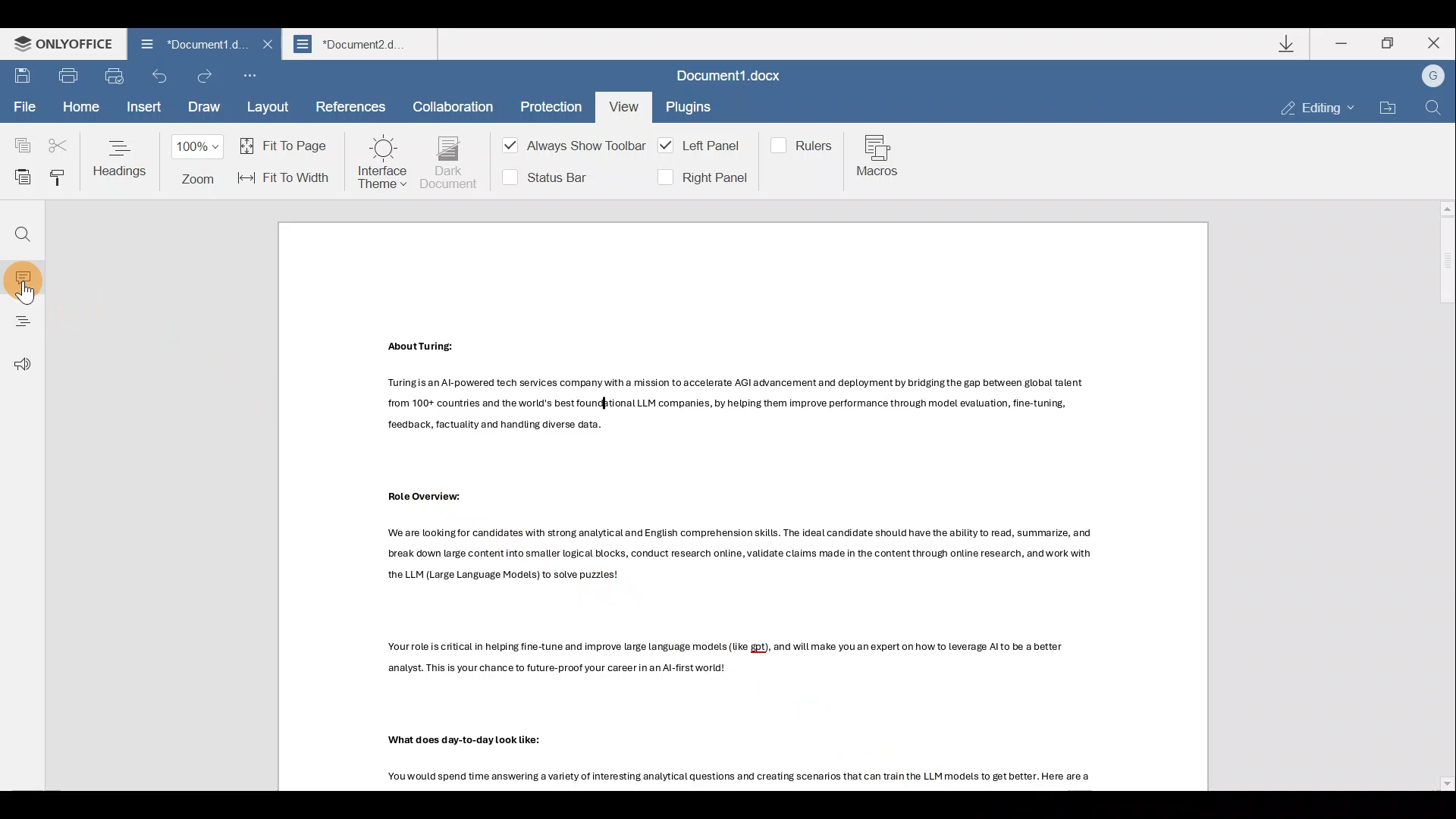 This screenshot has height=819, width=1456. Describe the element at coordinates (547, 104) in the screenshot. I see `Protection` at that location.